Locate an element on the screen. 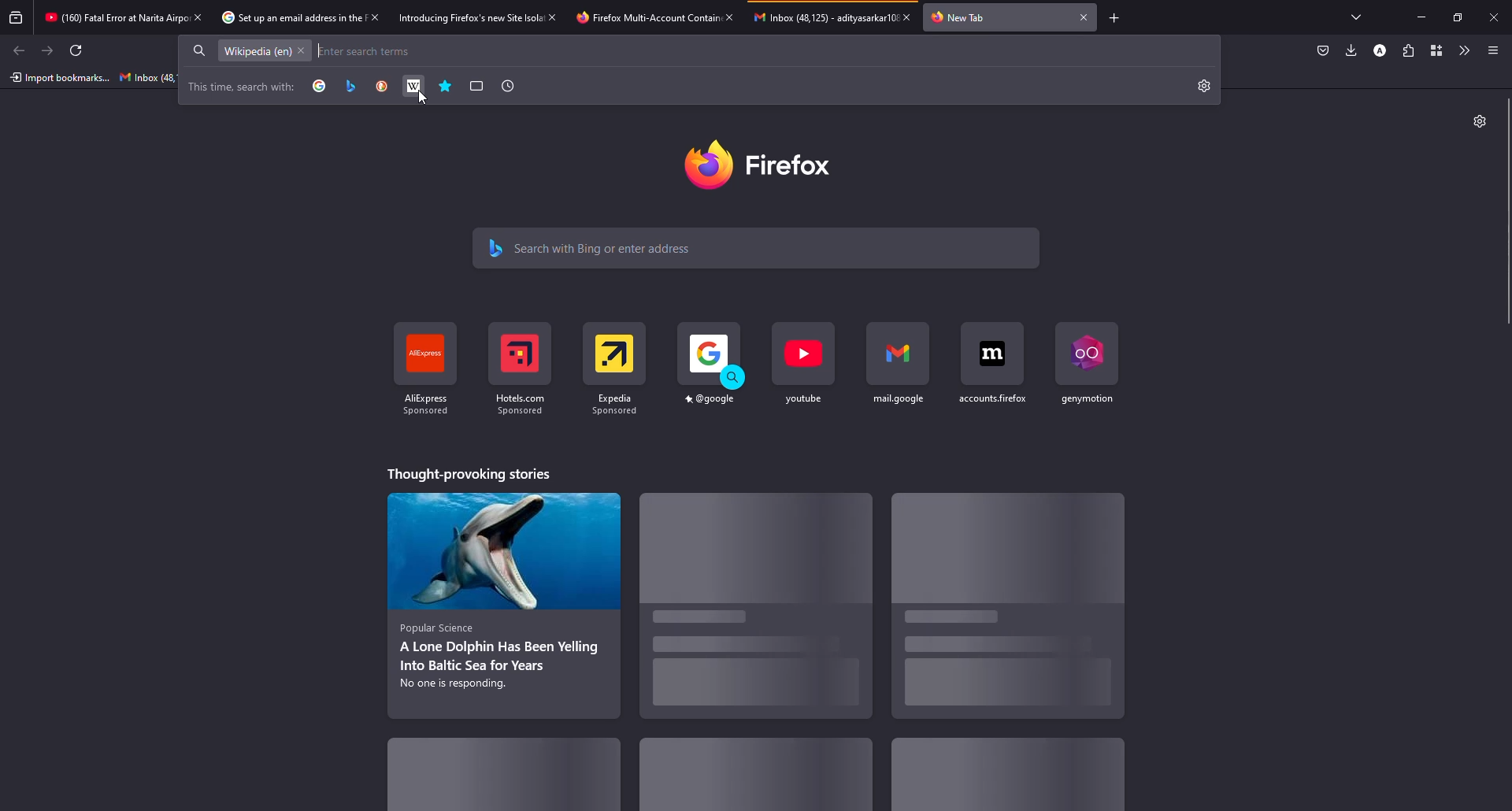 This screenshot has width=1512, height=811. duck duck go is located at coordinates (382, 86).